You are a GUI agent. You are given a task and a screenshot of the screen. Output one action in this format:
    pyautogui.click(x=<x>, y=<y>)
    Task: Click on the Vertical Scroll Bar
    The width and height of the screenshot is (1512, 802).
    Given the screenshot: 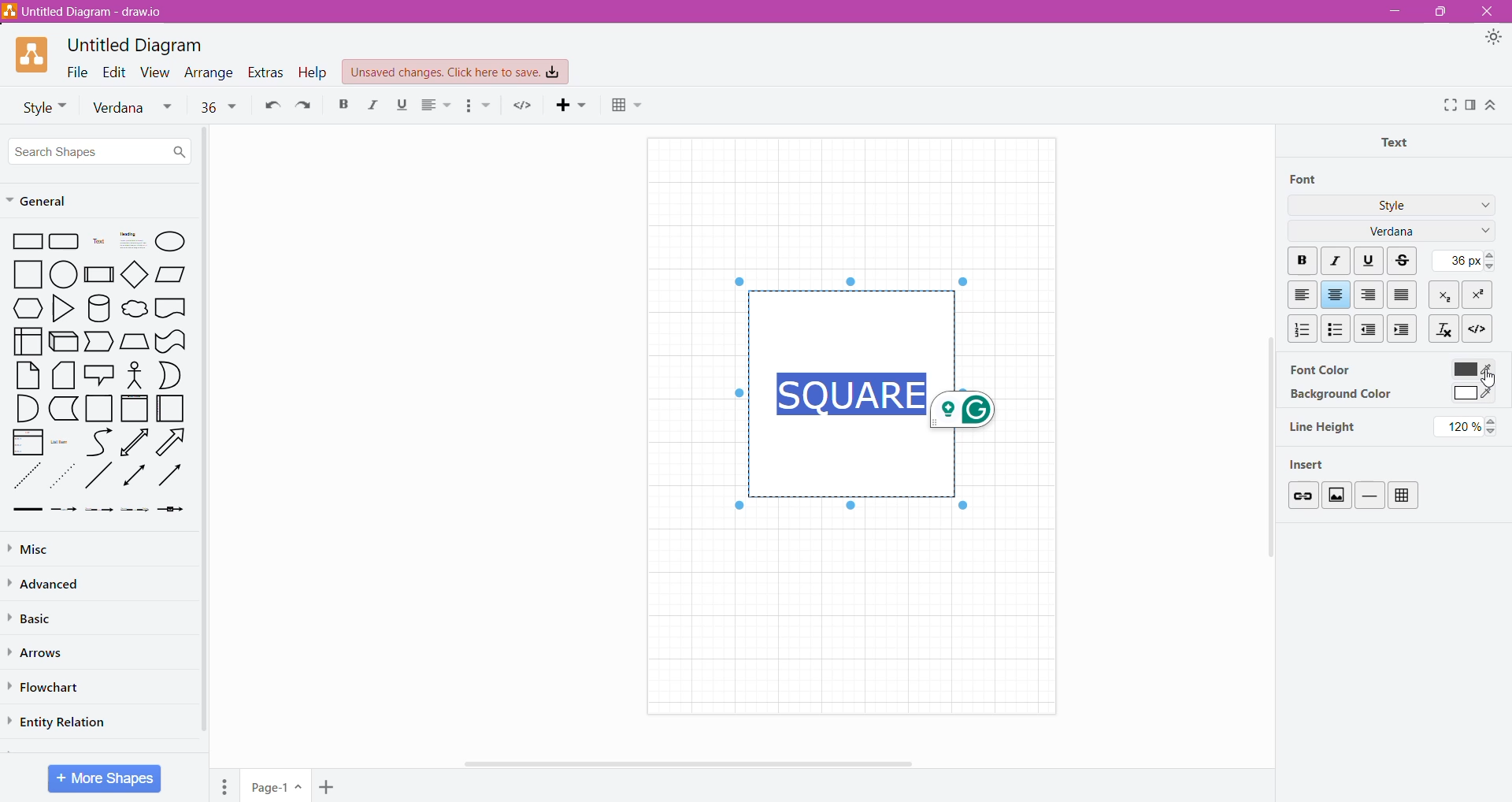 What is the action you would take?
    pyautogui.click(x=206, y=433)
    